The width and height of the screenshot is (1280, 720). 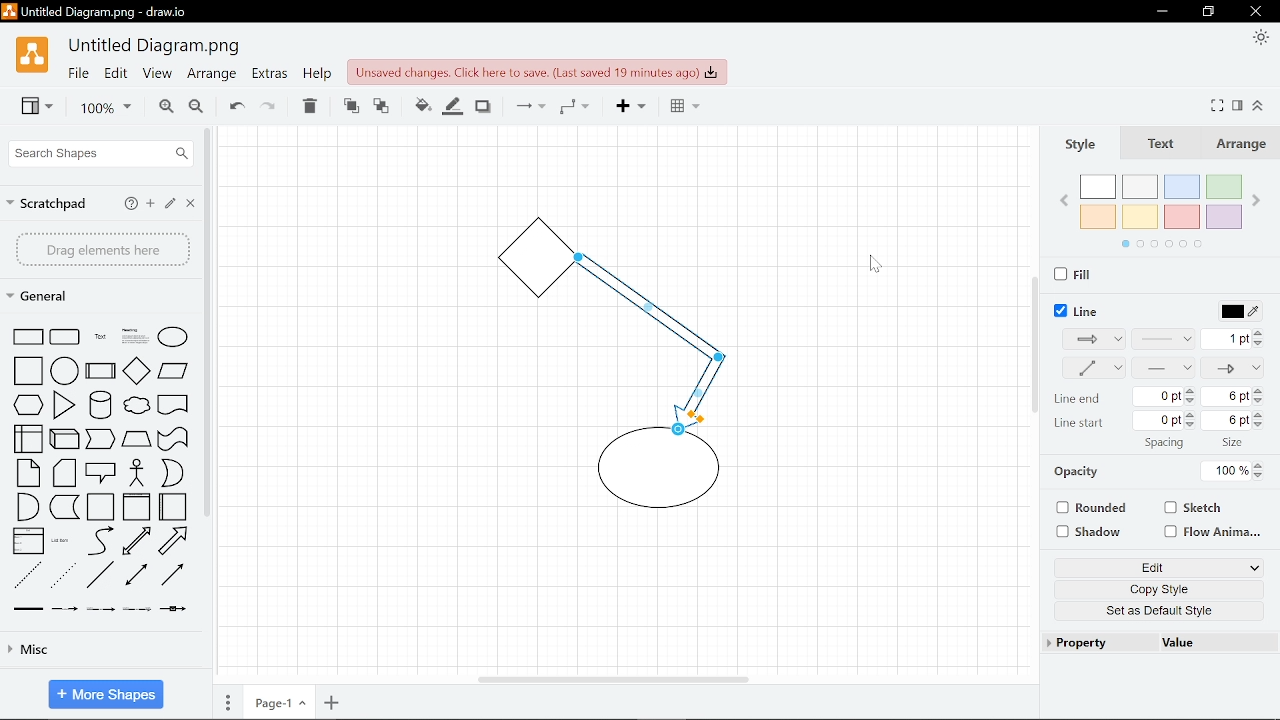 I want to click on Drag elements here, so click(x=102, y=249).